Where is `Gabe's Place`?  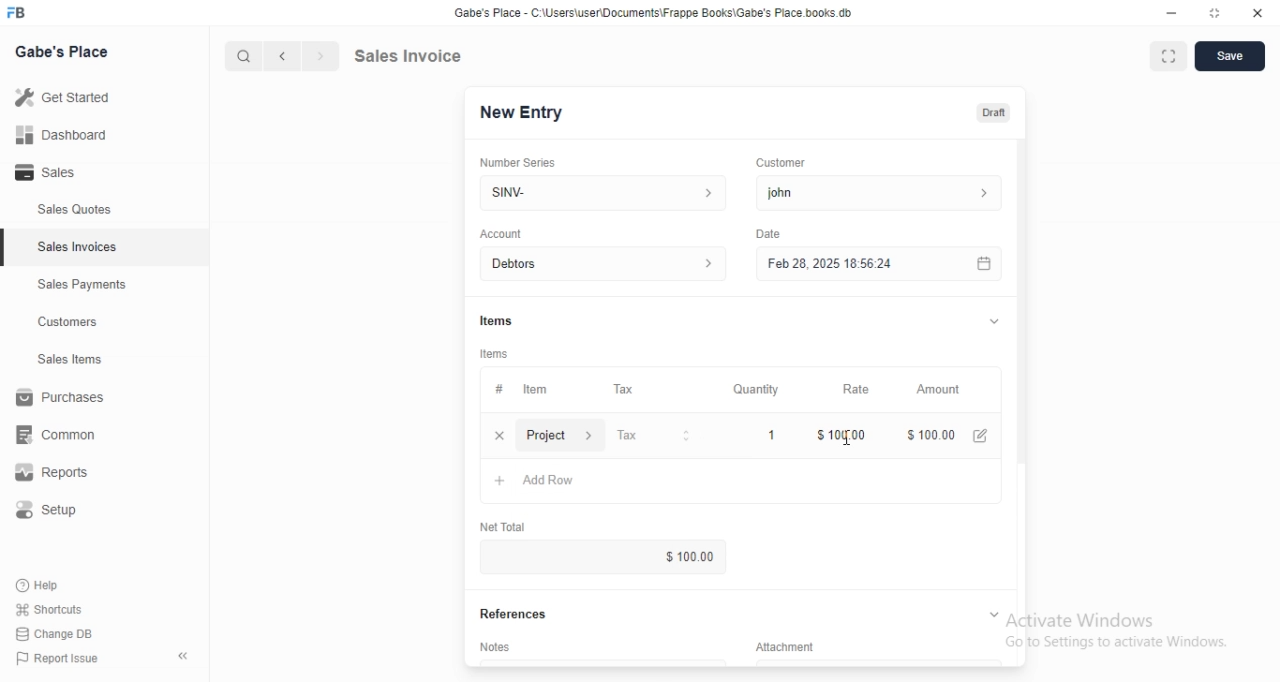
Gabe's Place is located at coordinates (66, 50).